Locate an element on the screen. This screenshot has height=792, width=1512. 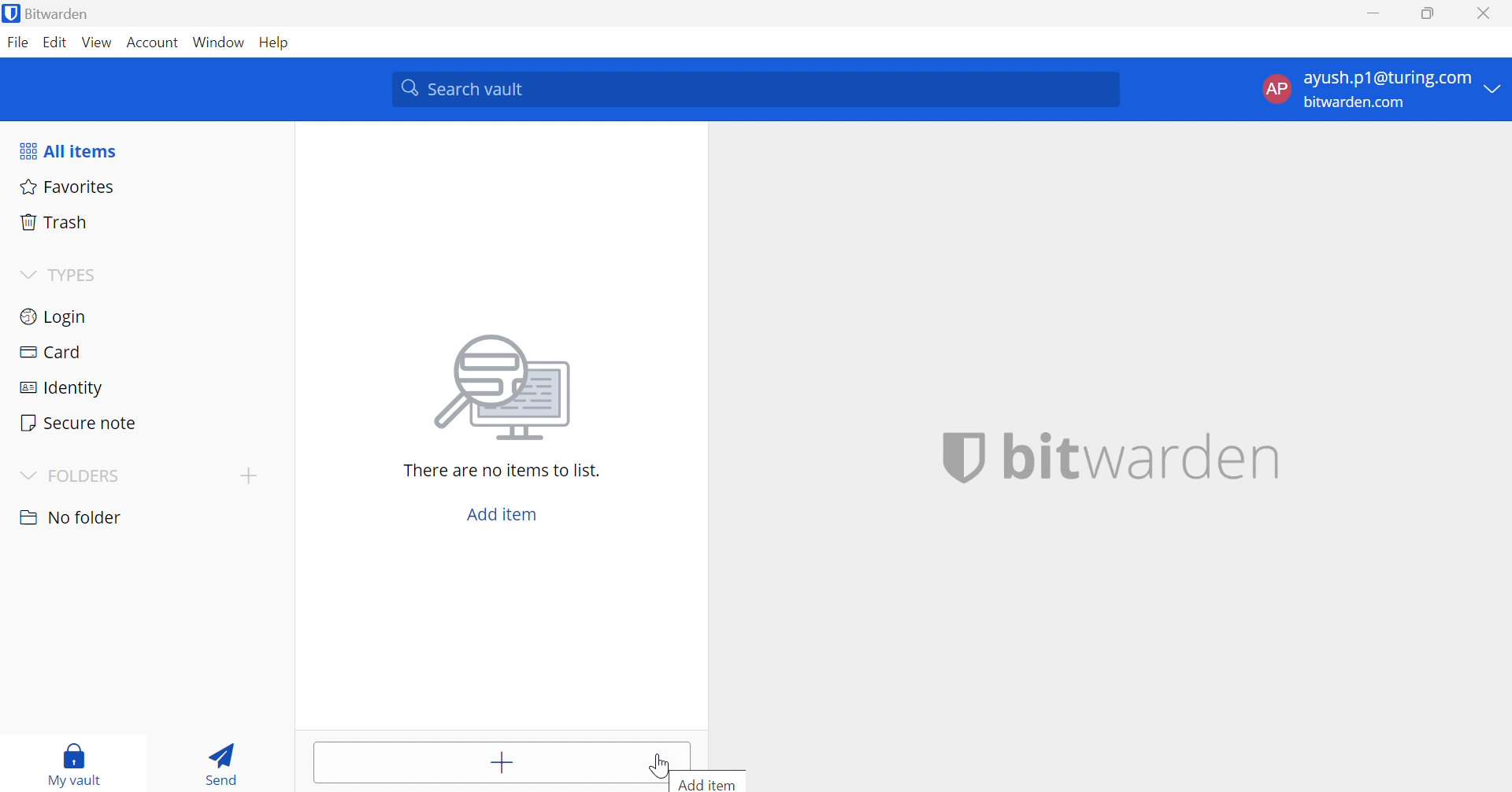
Help is located at coordinates (281, 43).